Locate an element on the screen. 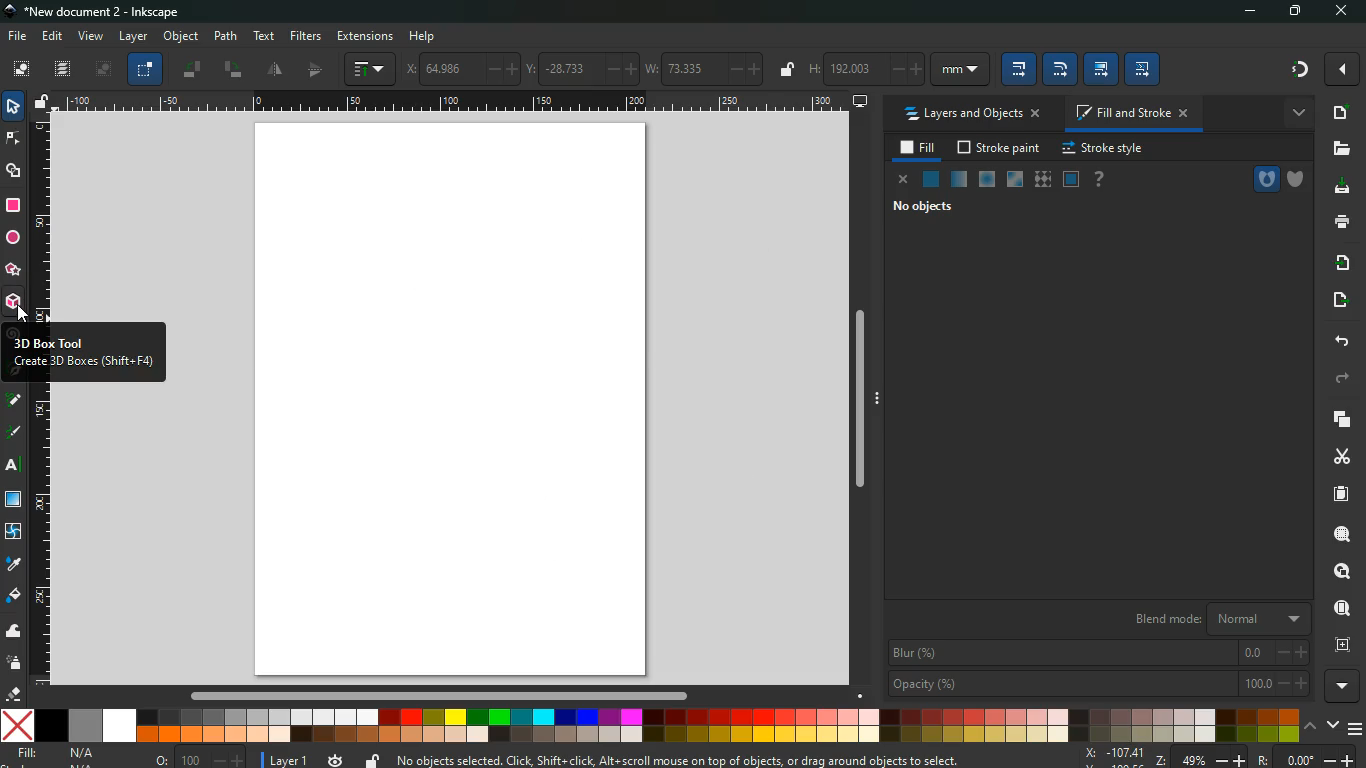 This screenshot has height=768, width=1366. view is located at coordinates (92, 37).